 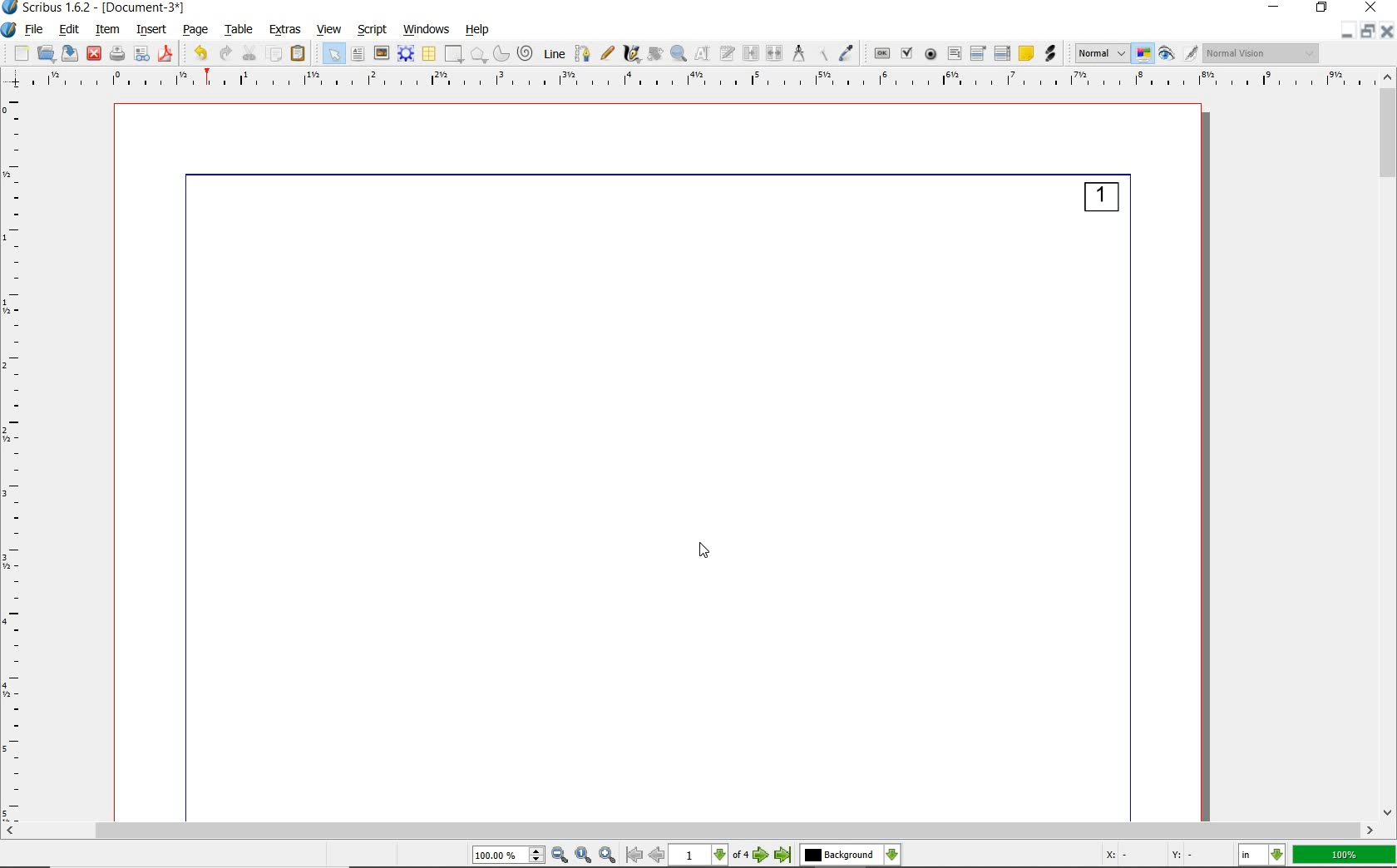 I want to click on render frame, so click(x=405, y=54).